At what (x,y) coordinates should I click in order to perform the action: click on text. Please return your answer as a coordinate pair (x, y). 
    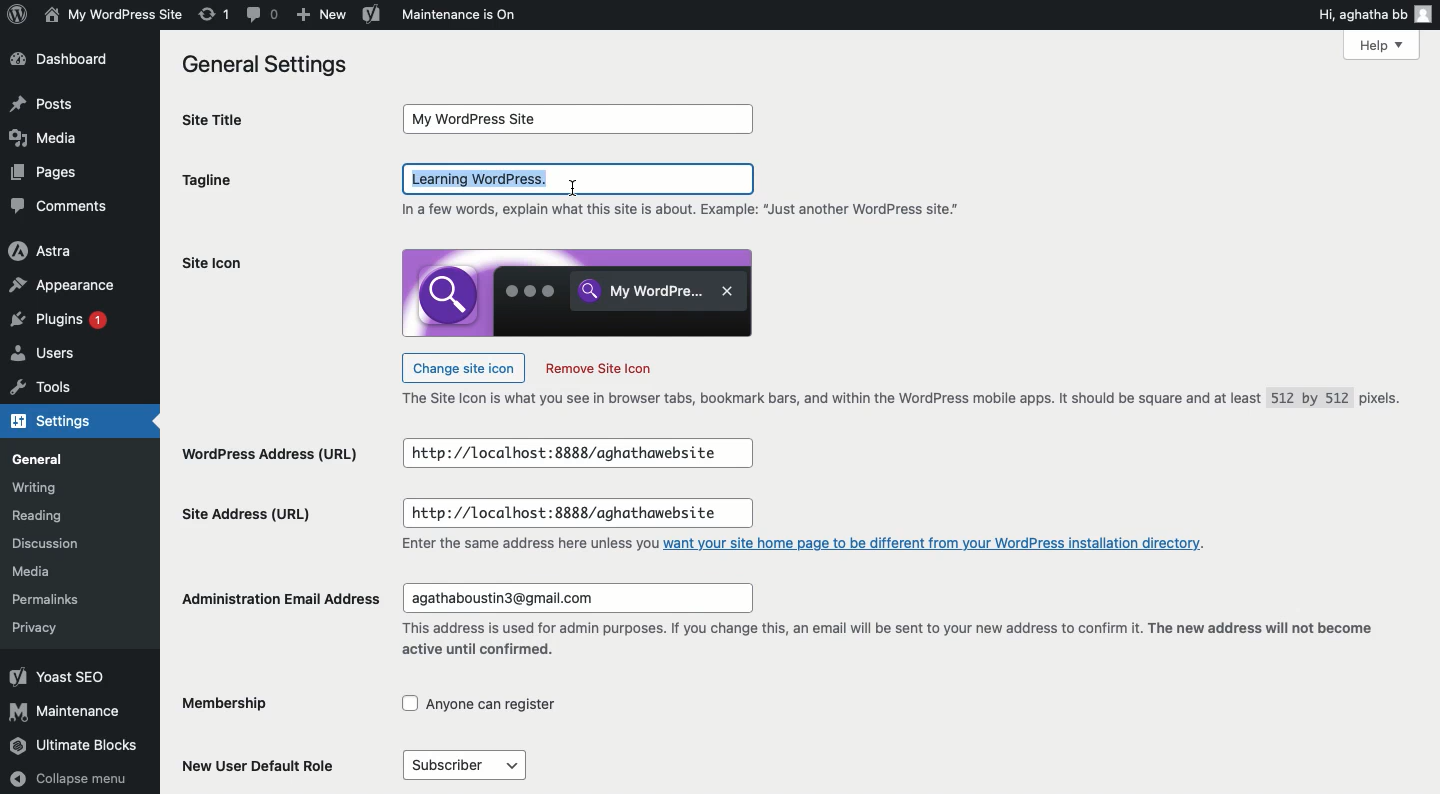
    Looking at the image, I should click on (884, 642).